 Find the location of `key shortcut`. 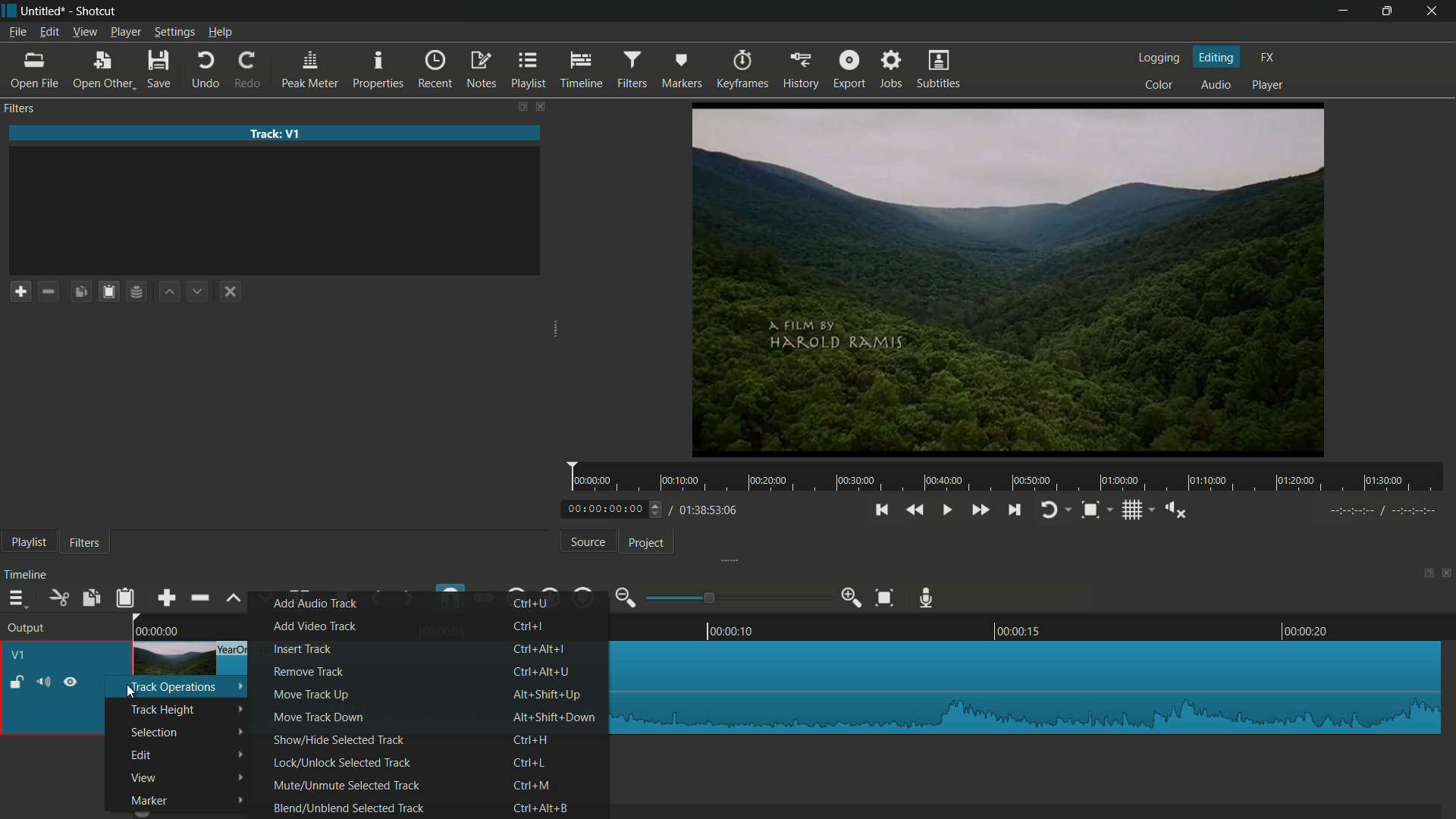

key shortcut is located at coordinates (529, 764).